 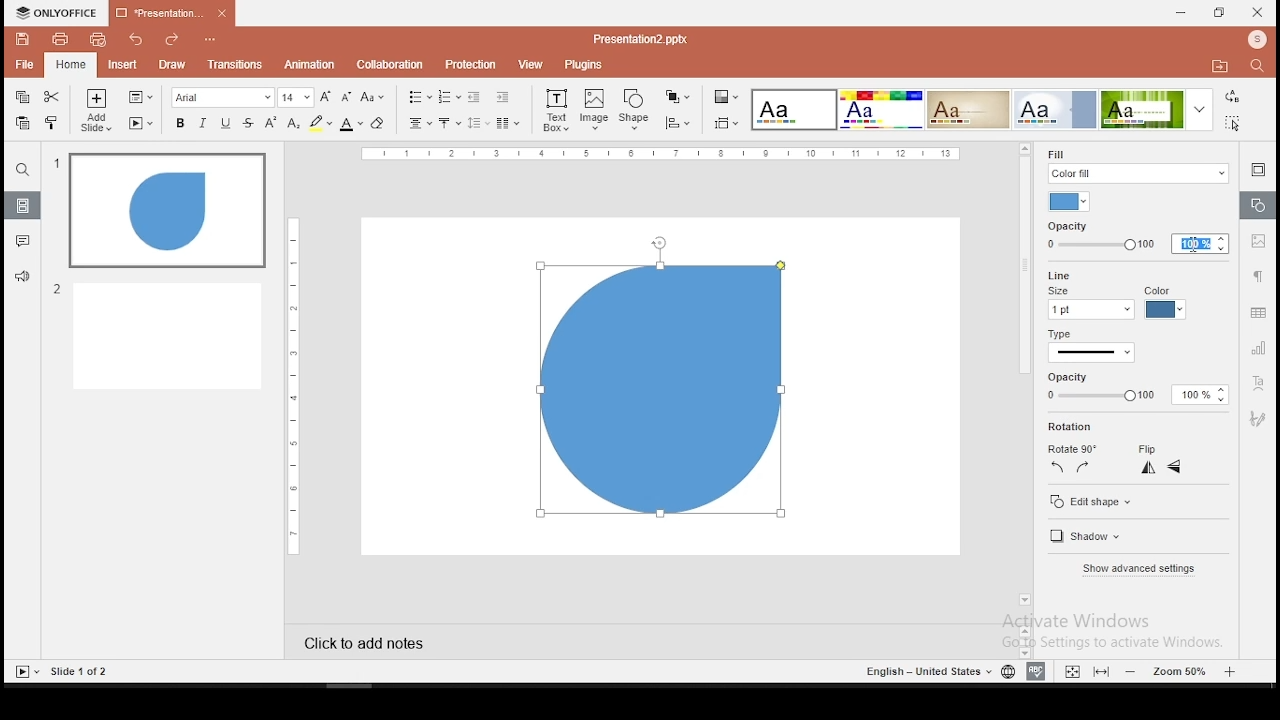 What do you see at coordinates (22, 206) in the screenshot?
I see `slides` at bounding box center [22, 206].